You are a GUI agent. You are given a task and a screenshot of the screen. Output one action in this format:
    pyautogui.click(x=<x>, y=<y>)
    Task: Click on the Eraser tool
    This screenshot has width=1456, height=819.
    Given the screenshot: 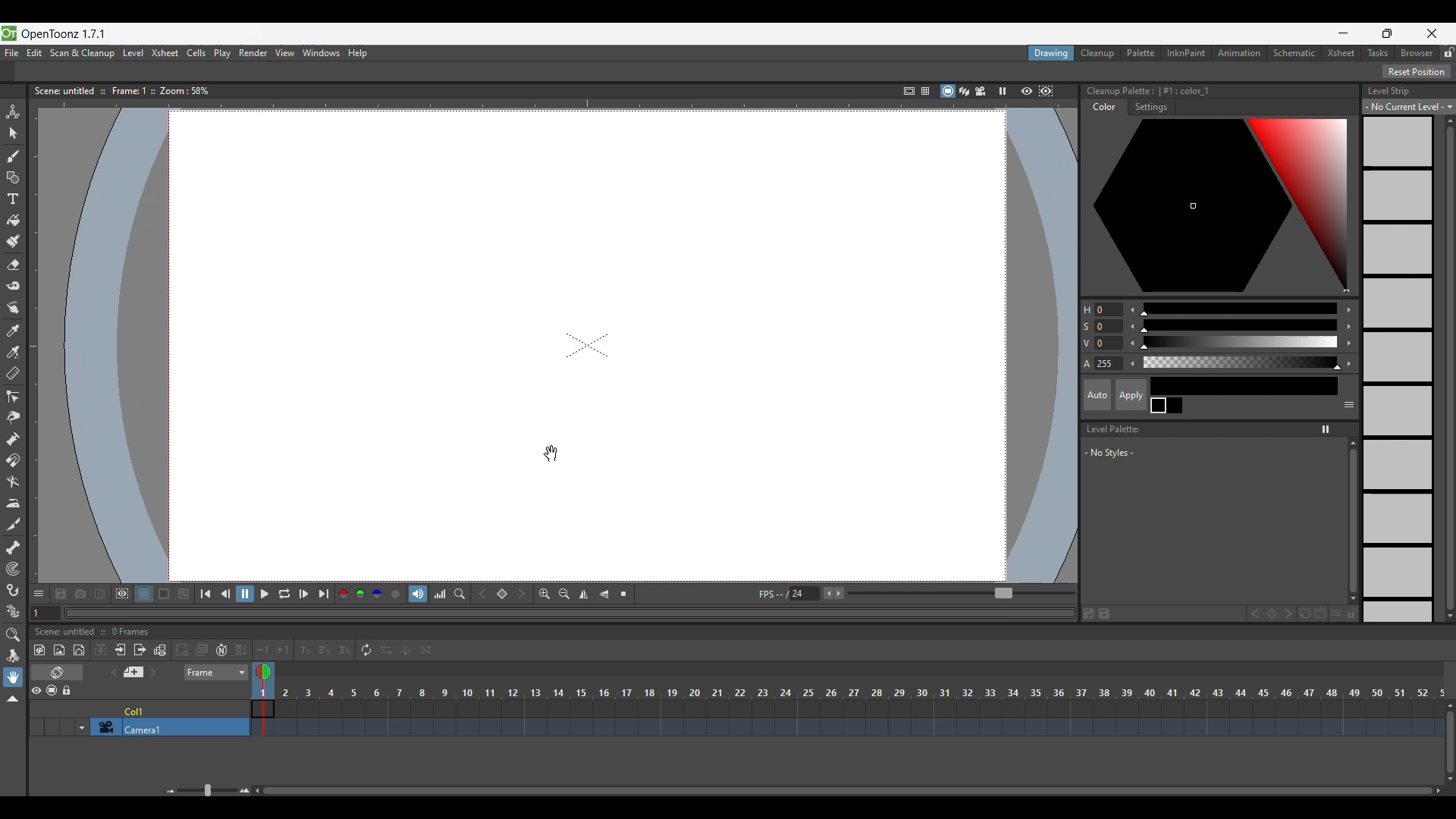 What is the action you would take?
    pyautogui.click(x=13, y=265)
    